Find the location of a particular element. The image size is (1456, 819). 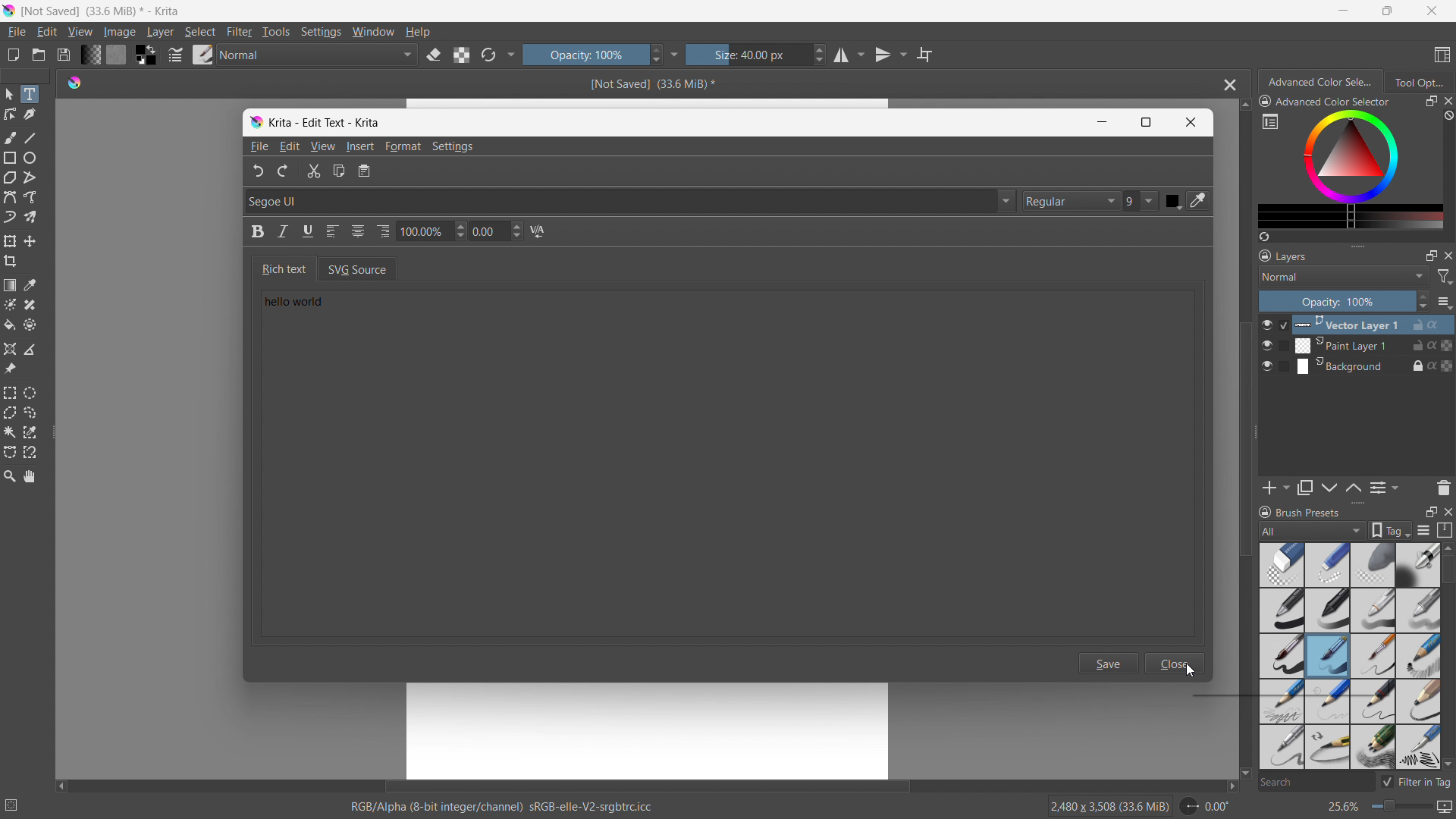

Redo is located at coordinates (284, 170).